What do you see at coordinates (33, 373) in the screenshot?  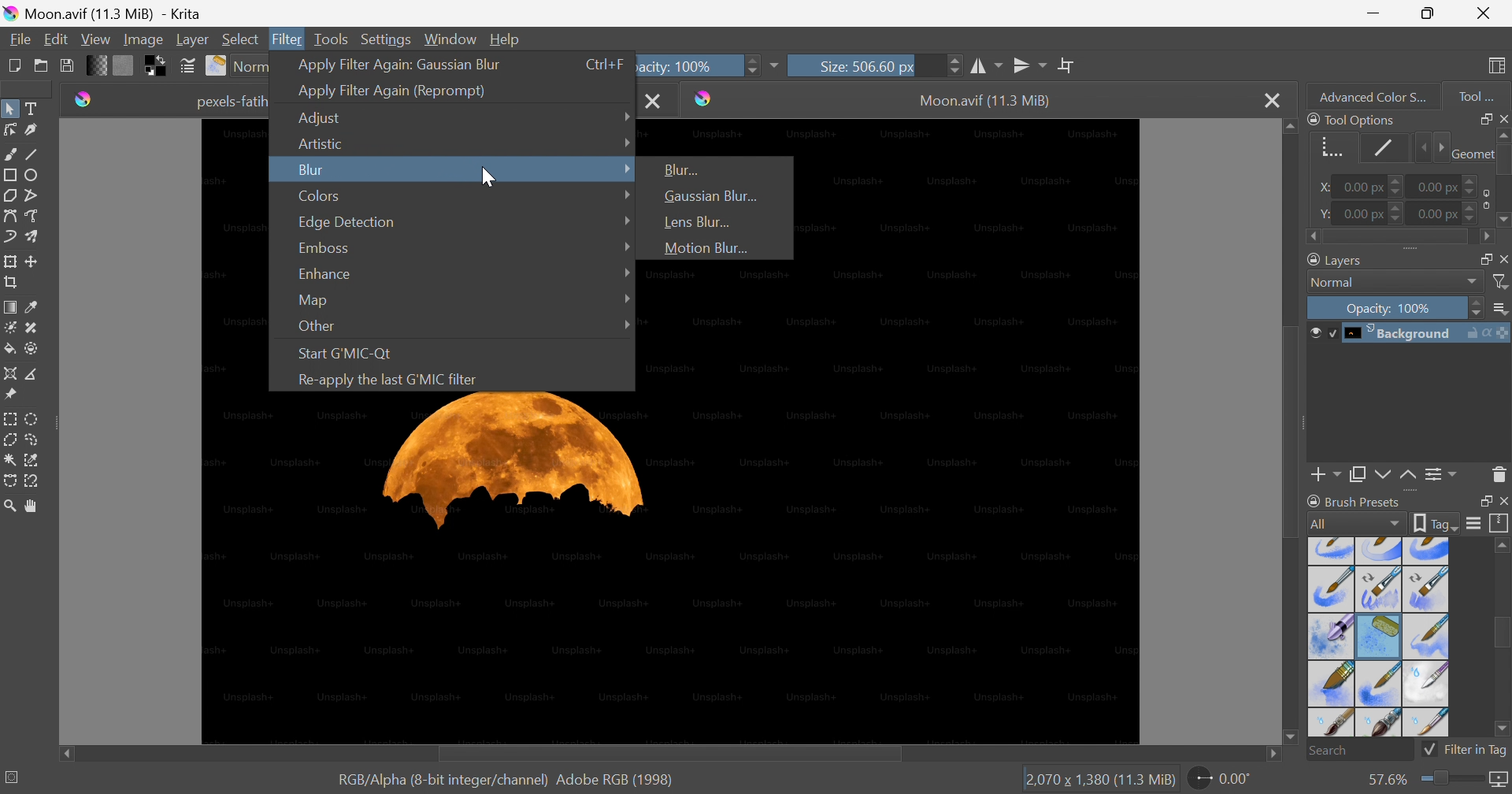 I see `Measure the distance between two points` at bounding box center [33, 373].